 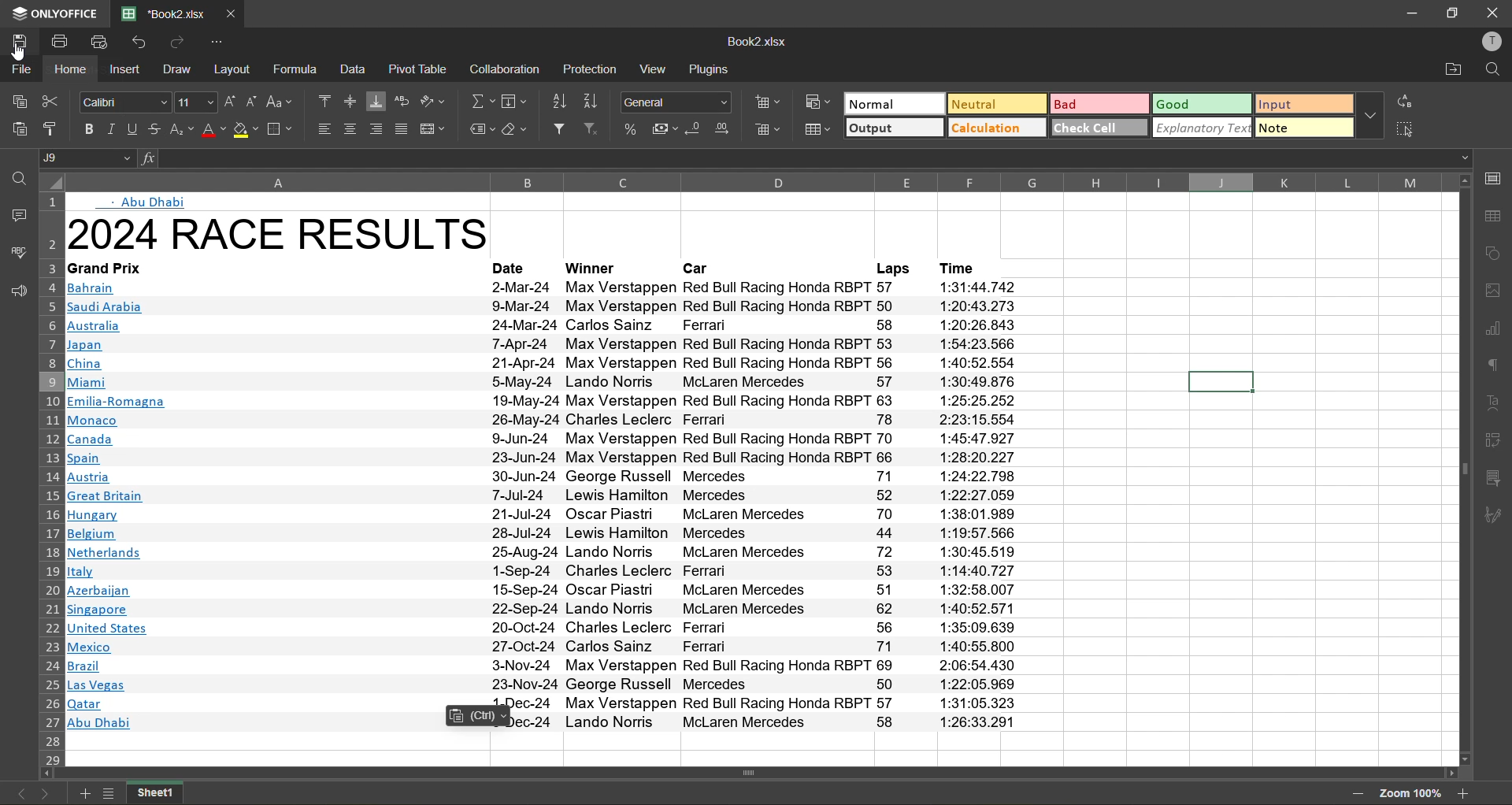 I want to click on next, so click(x=44, y=796).